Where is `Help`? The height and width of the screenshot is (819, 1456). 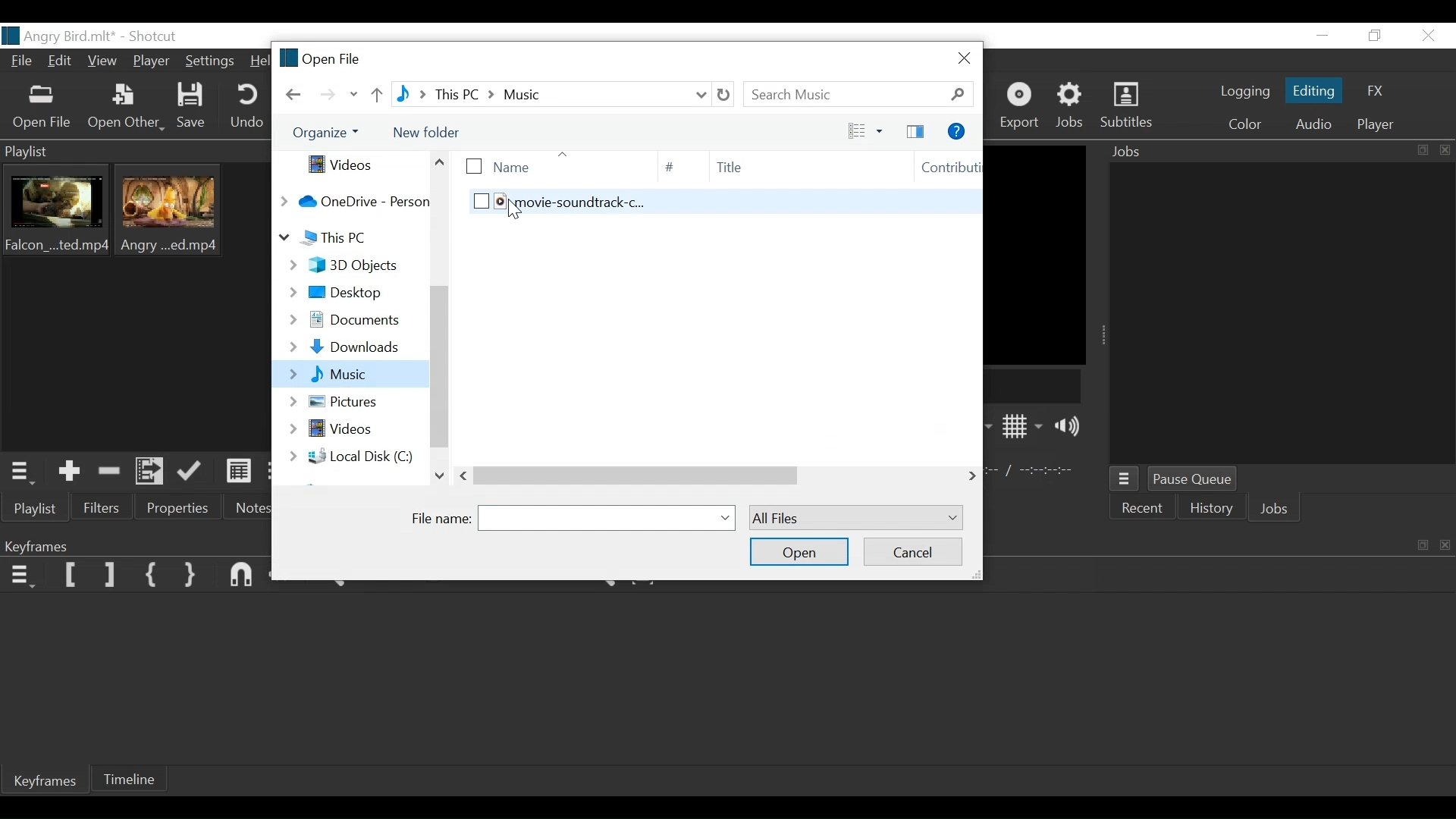
Help is located at coordinates (259, 62).